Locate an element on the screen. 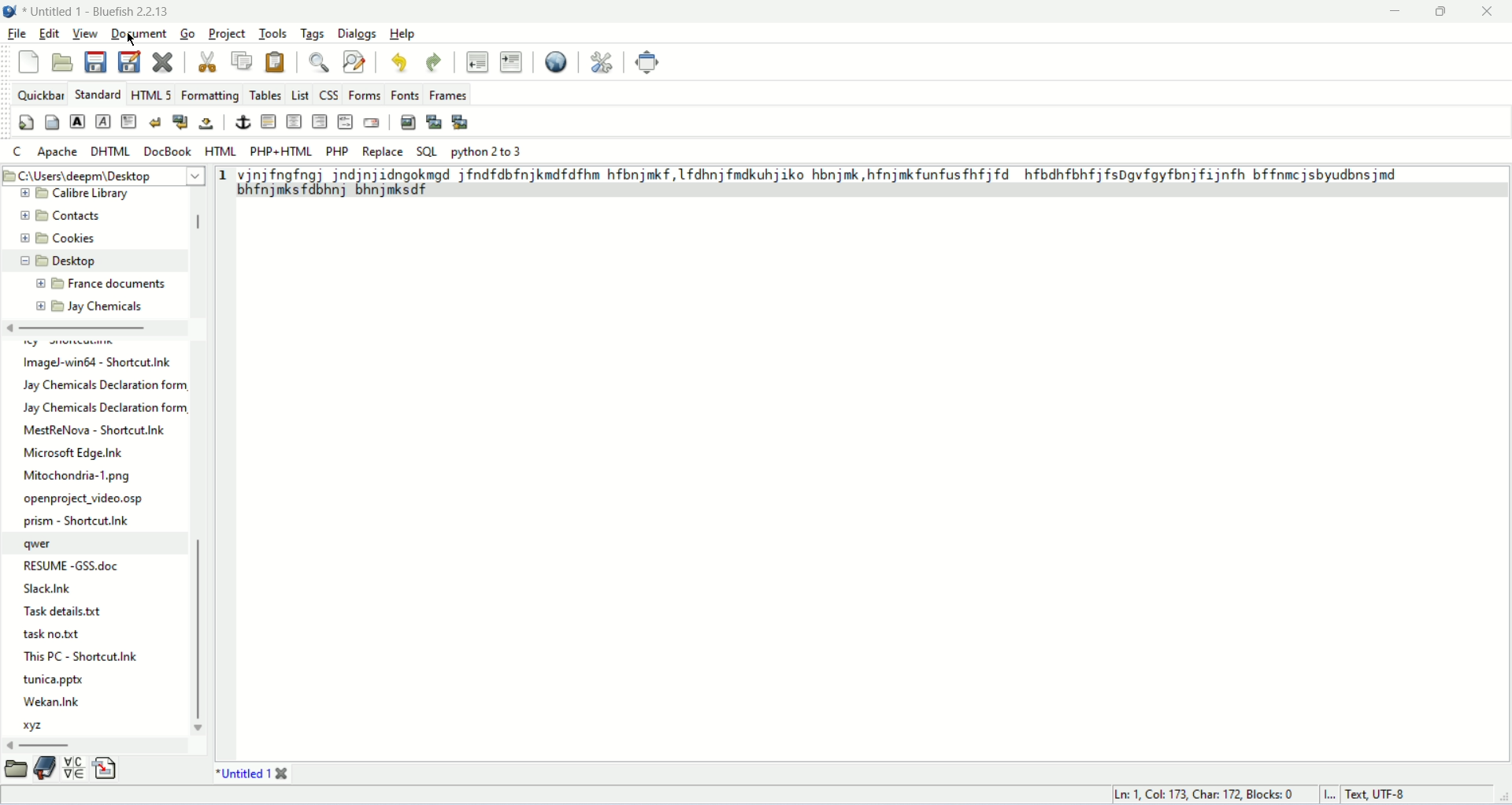 This screenshot has height=805, width=1512. maximize is located at coordinates (1442, 10).